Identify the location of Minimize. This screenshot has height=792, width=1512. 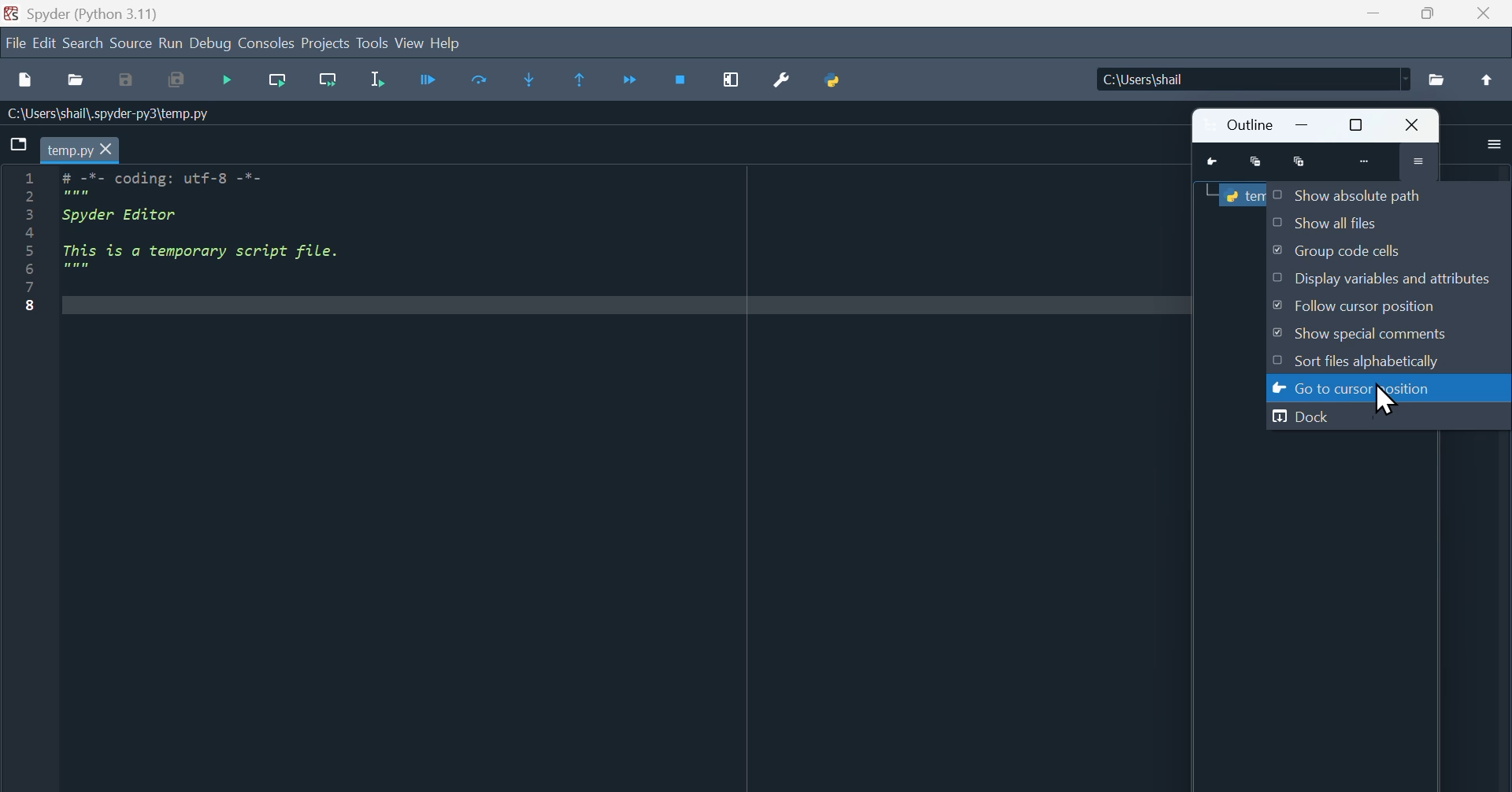
(1256, 162).